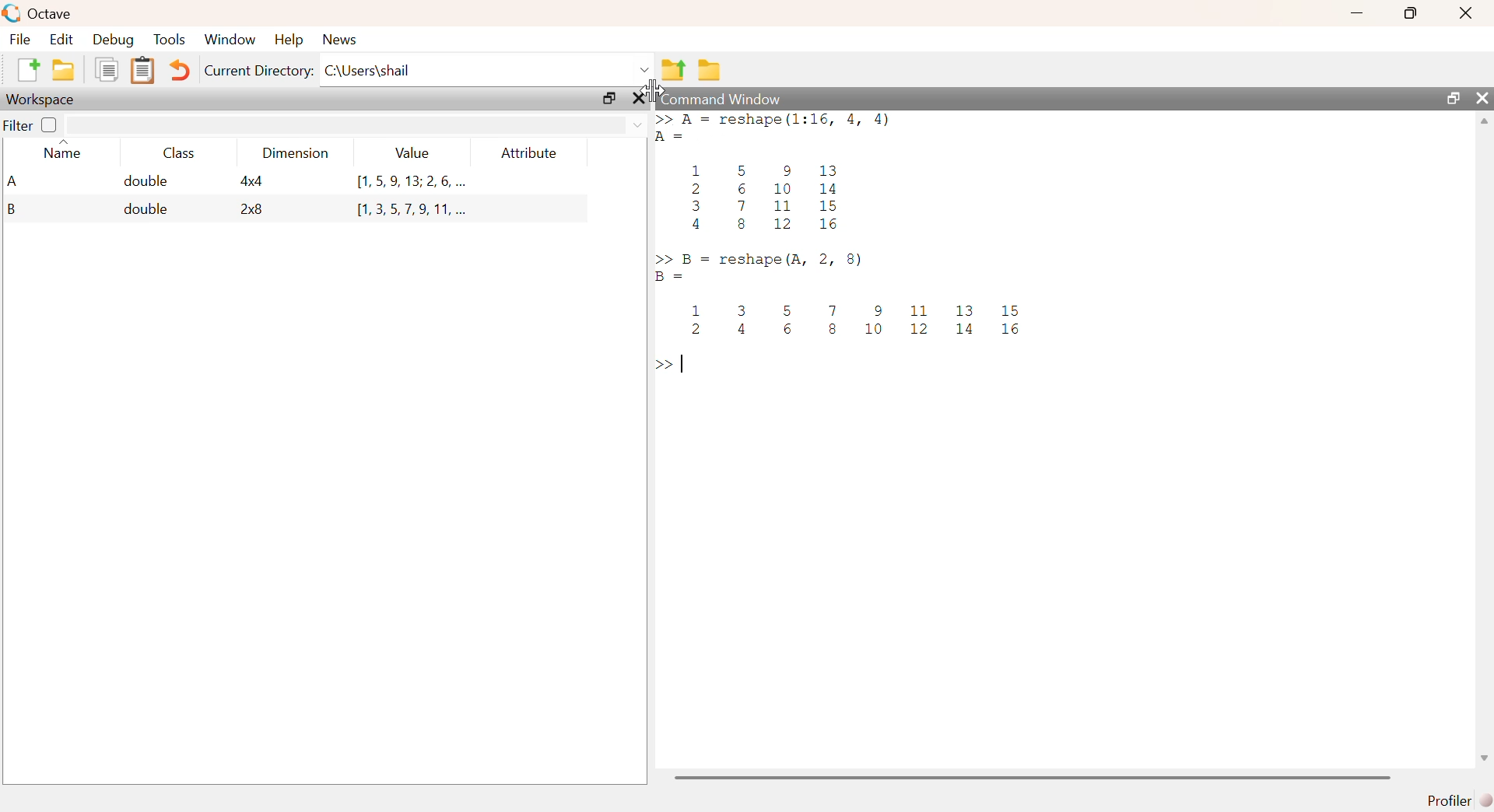 This screenshot has width=1494, height=812. Describe the element at coordinates (15, 180) in the screenshot. I see `A` at that location.